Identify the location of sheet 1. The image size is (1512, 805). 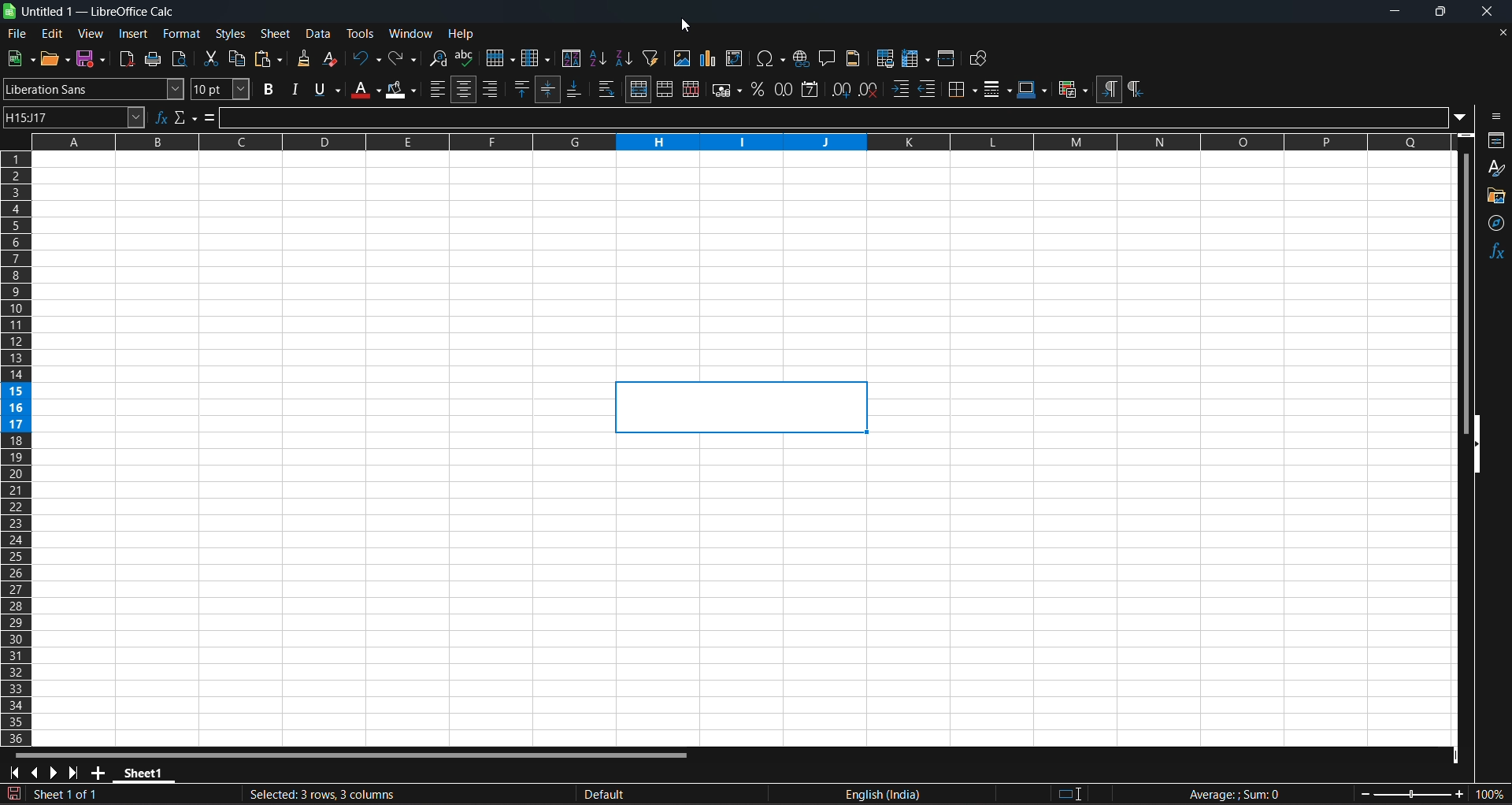
(304, 792).